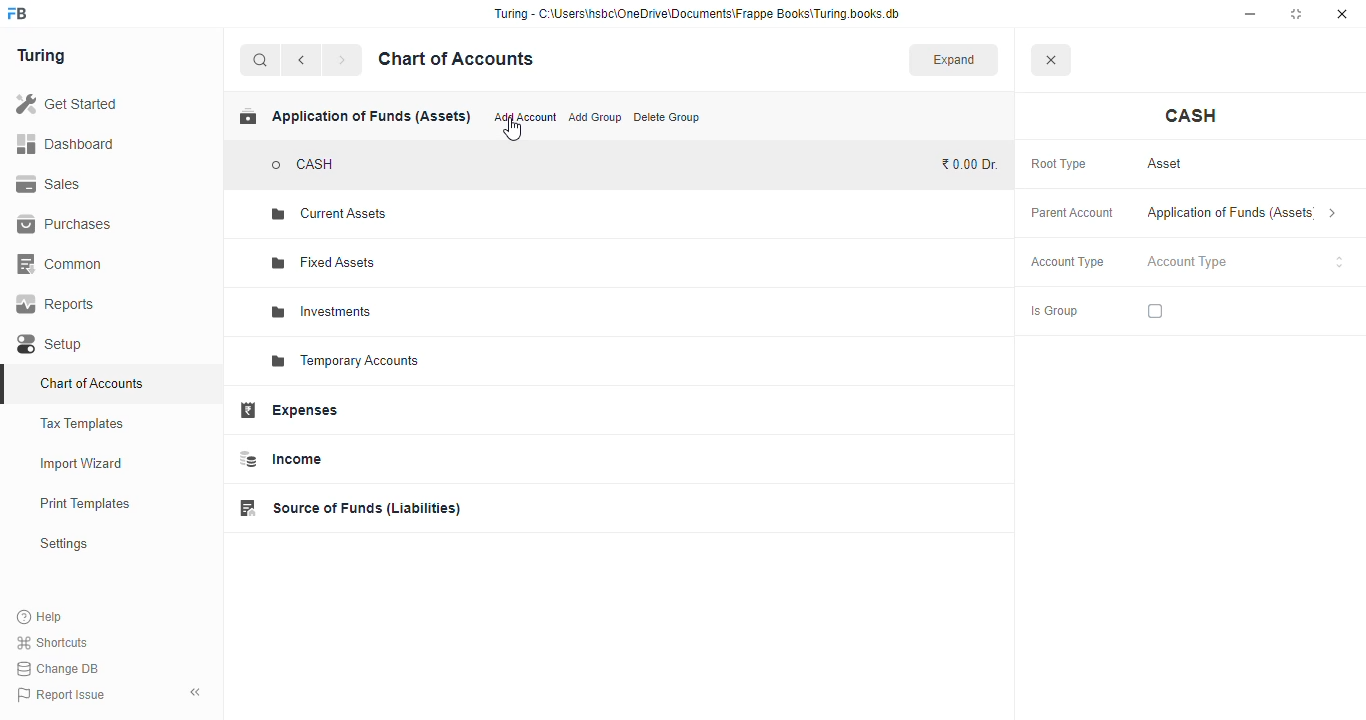 The width and height of the screenshot is (1366, 720). What do you see at coordinates (1250, 14) in the screenshot?
I see `minimize` at bounding box center [1250, 14].